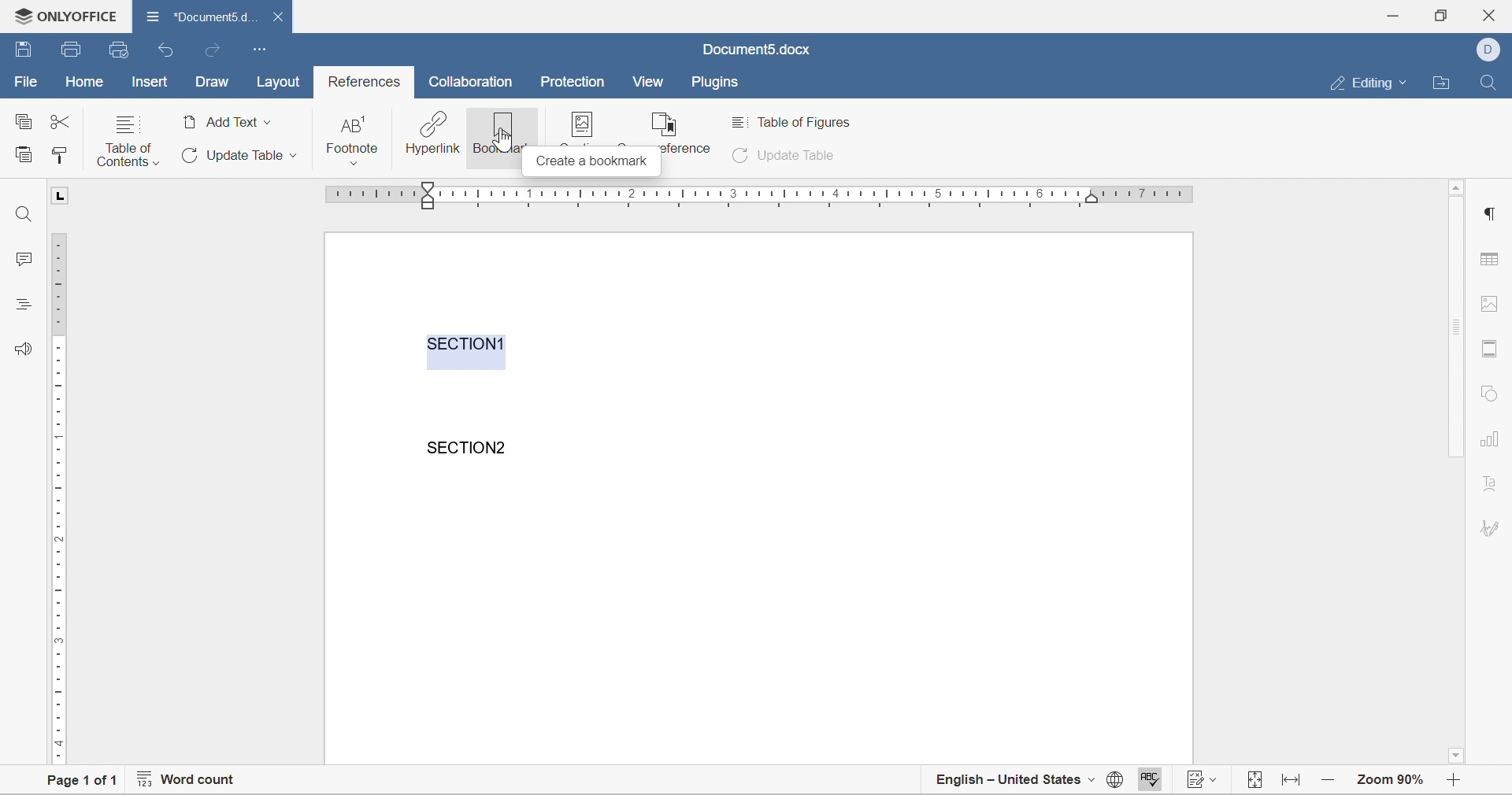 Image resolution: width=1512 pixels, height=795 pixels. Describe the element at coordinates (1439, 14) in the screenshot. I see `restore down` at that location.